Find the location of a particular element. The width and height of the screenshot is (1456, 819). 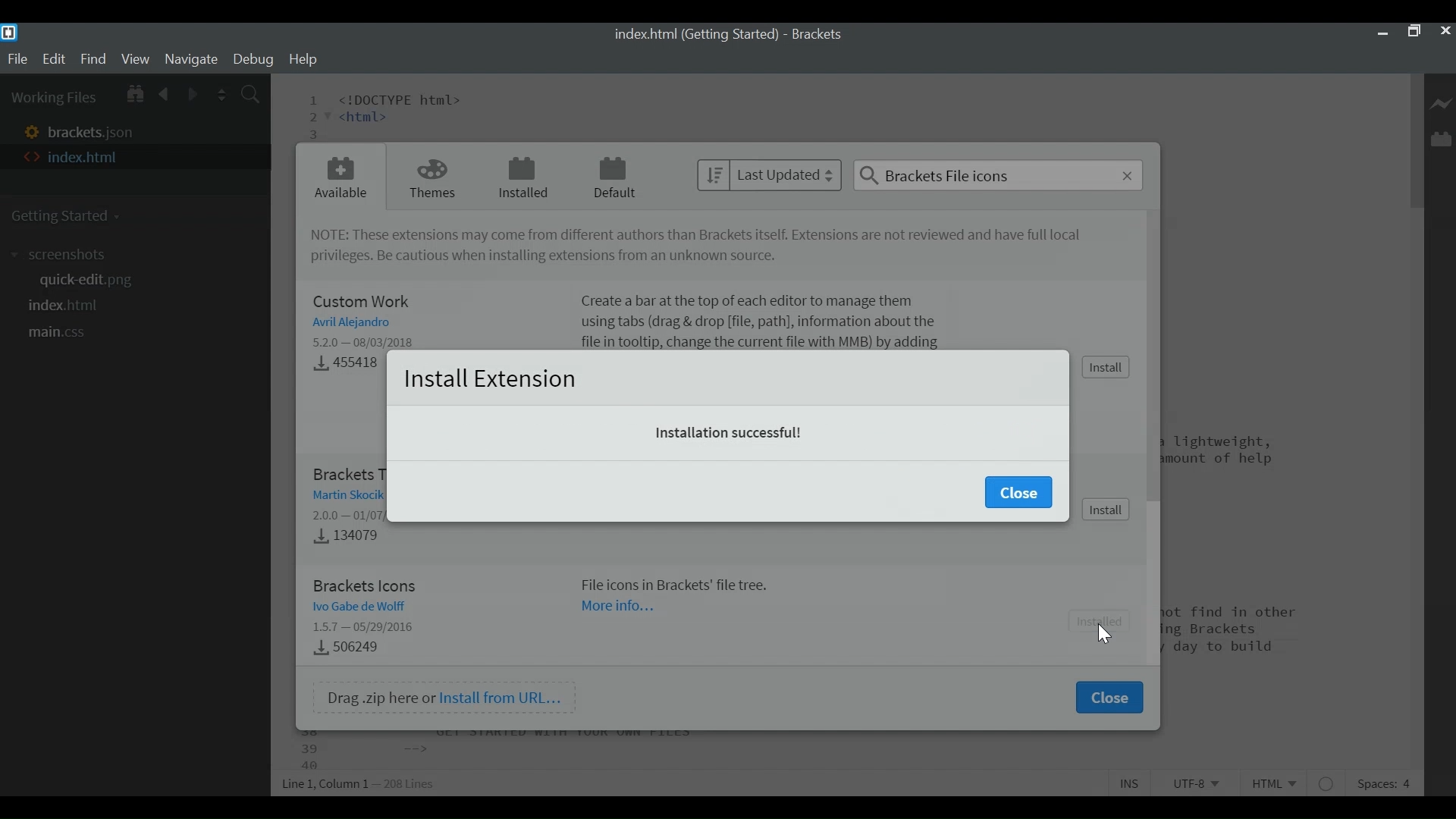

index.html is located at coordinates (131, 156).